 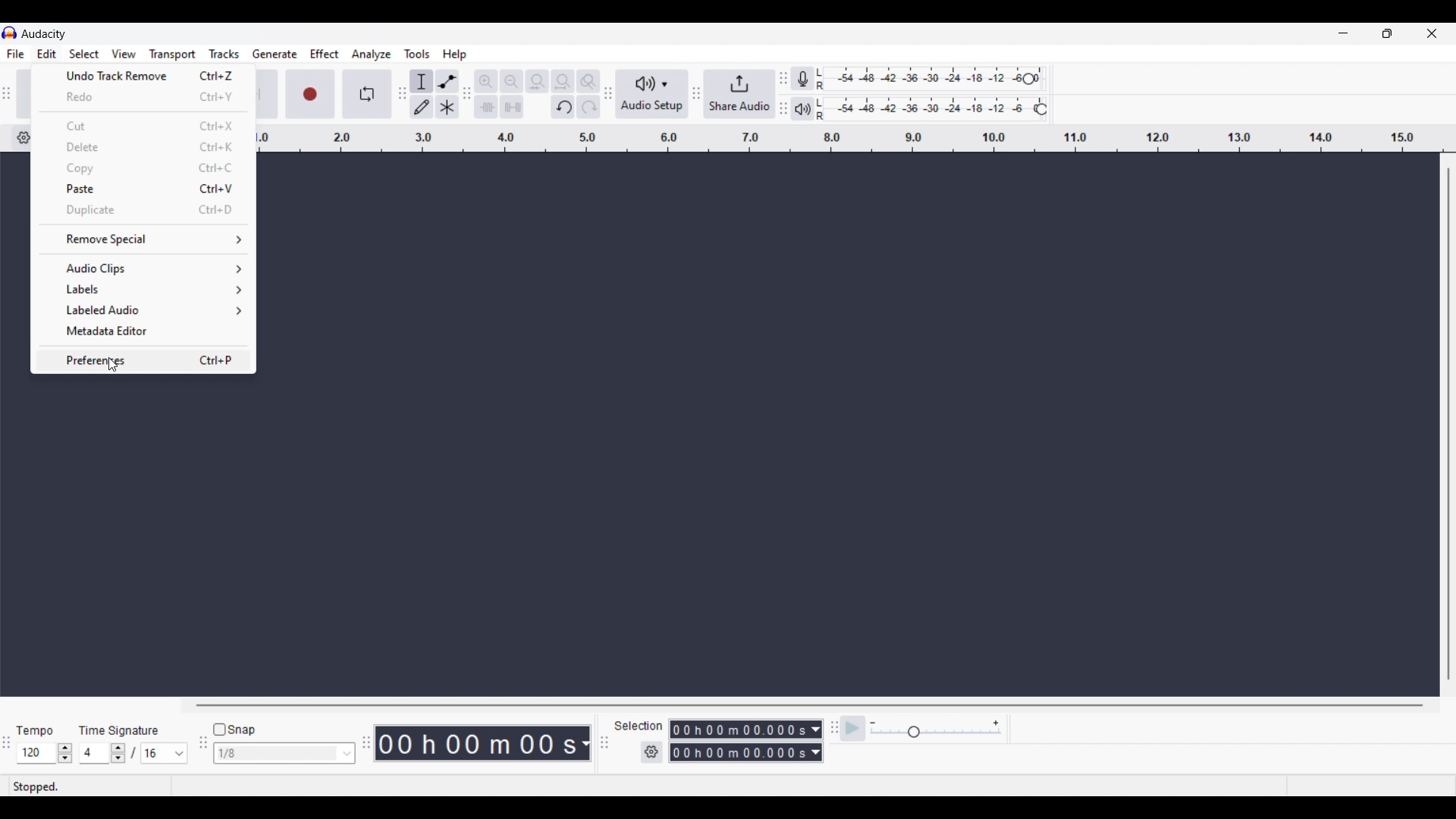 What do you see at coordinates (588, 81) in the screenshot?
I see `Zoom toggle` at bounding box center [588, 81].